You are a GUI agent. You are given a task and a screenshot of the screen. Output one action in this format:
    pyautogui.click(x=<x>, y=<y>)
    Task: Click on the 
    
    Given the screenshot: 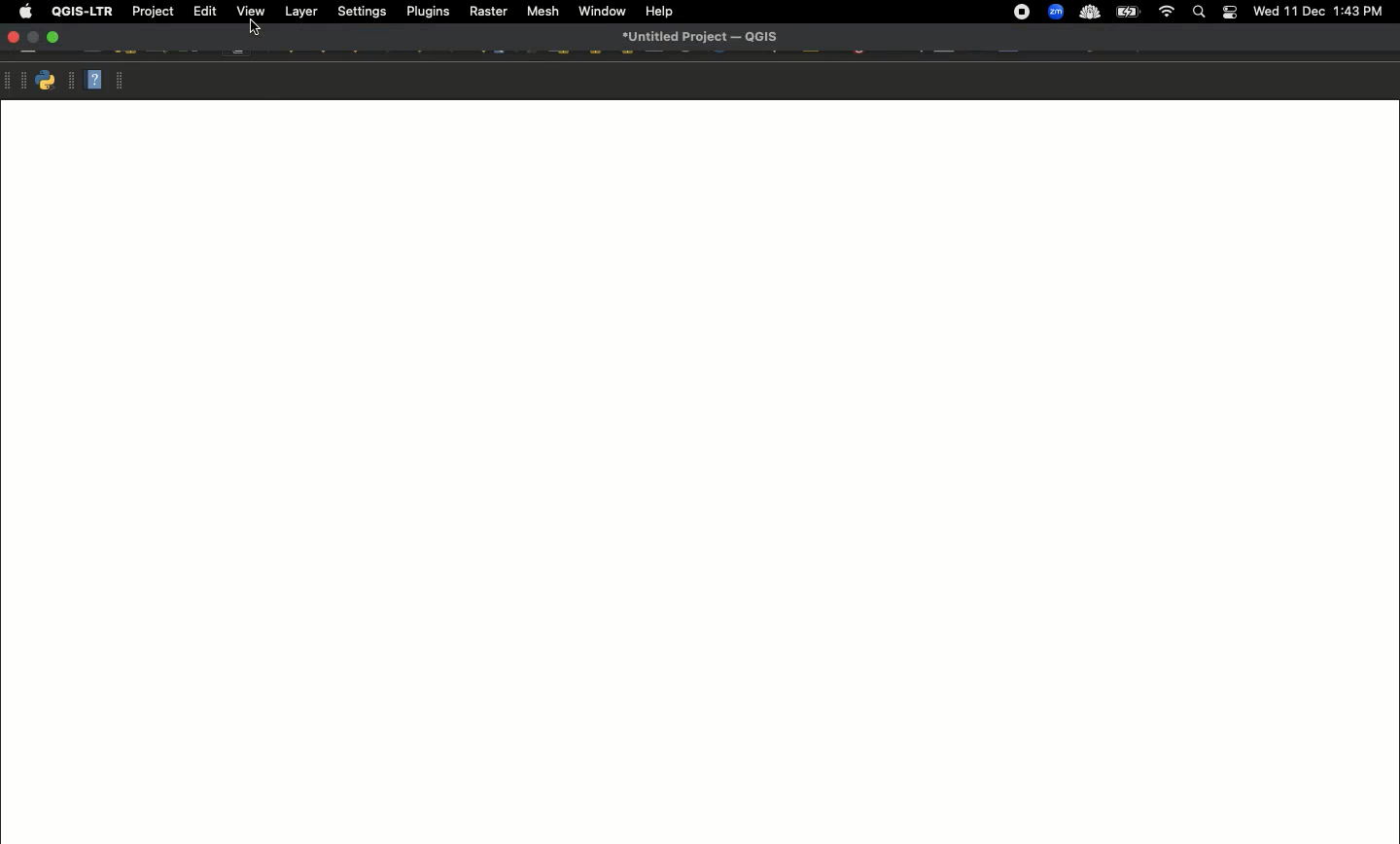 What is the action you would take?
    pyautogui.click(x=9, y=82)
    